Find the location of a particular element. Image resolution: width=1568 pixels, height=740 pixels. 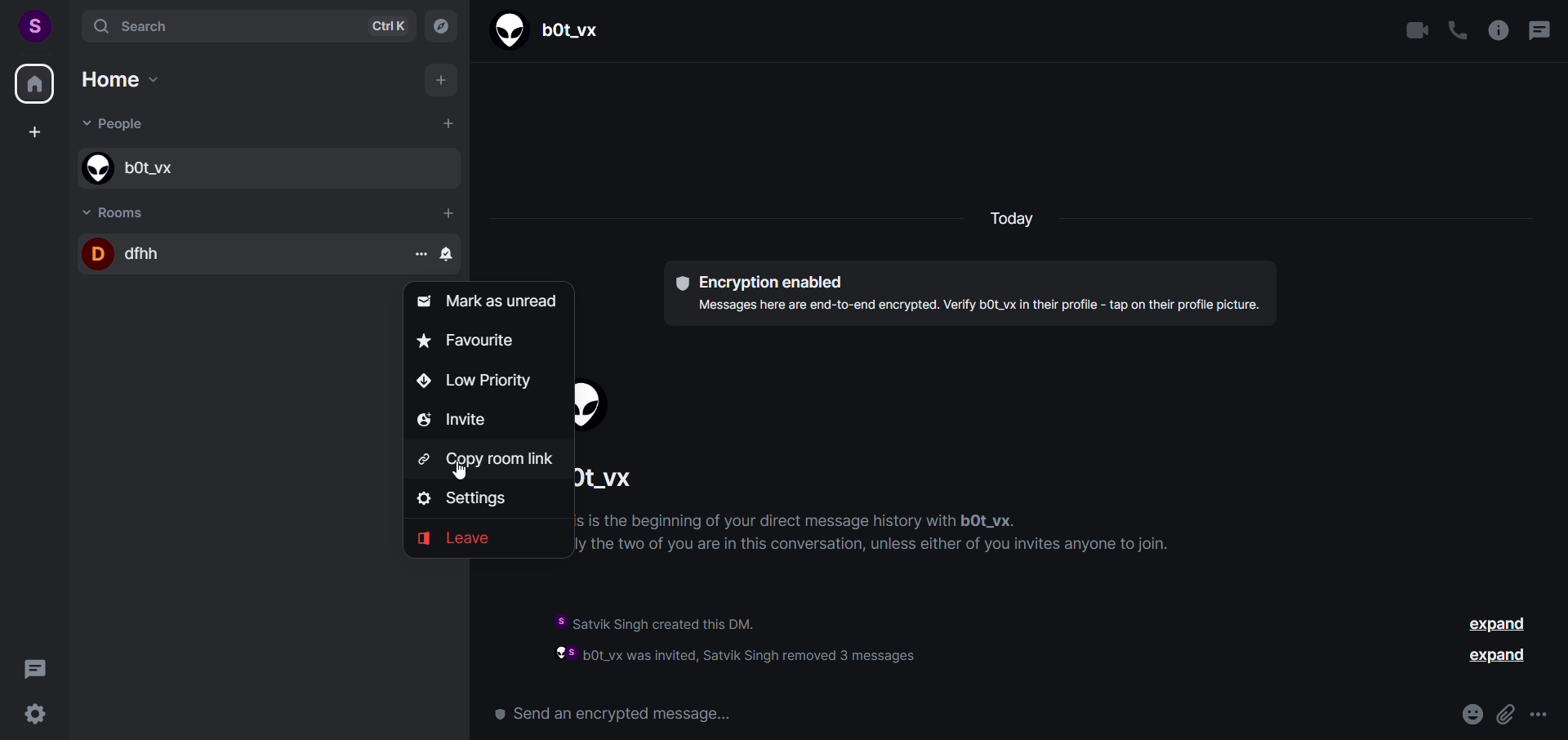

today is located at coordinates (1010, 220).